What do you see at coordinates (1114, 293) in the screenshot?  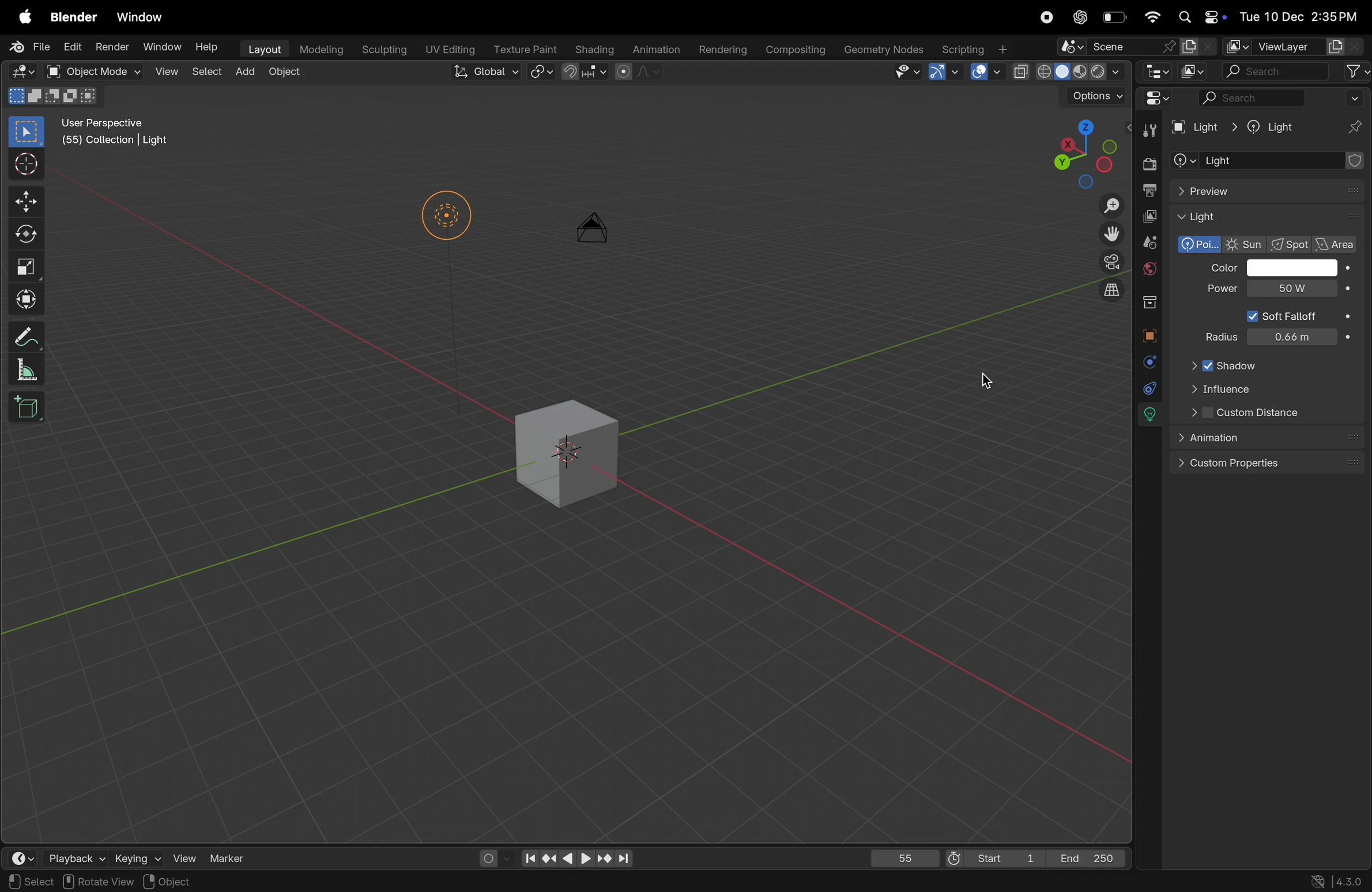 I see `orthographic view` at bounding box center [1114, 293].